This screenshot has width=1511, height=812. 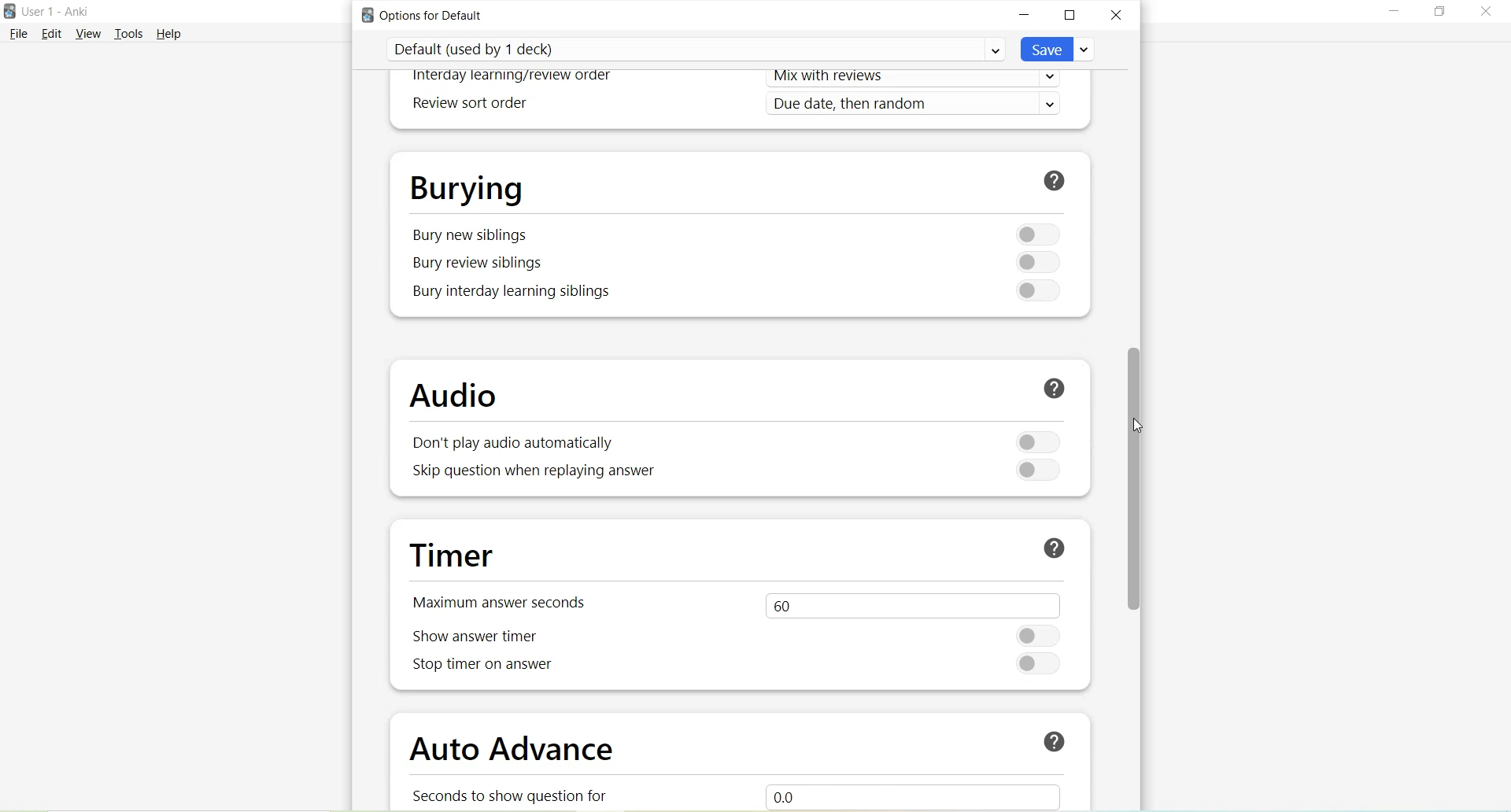 What do you see at coordinates (1138, 429) in the screenshot?
I see `cursor` at bounding box center [1138, 429].